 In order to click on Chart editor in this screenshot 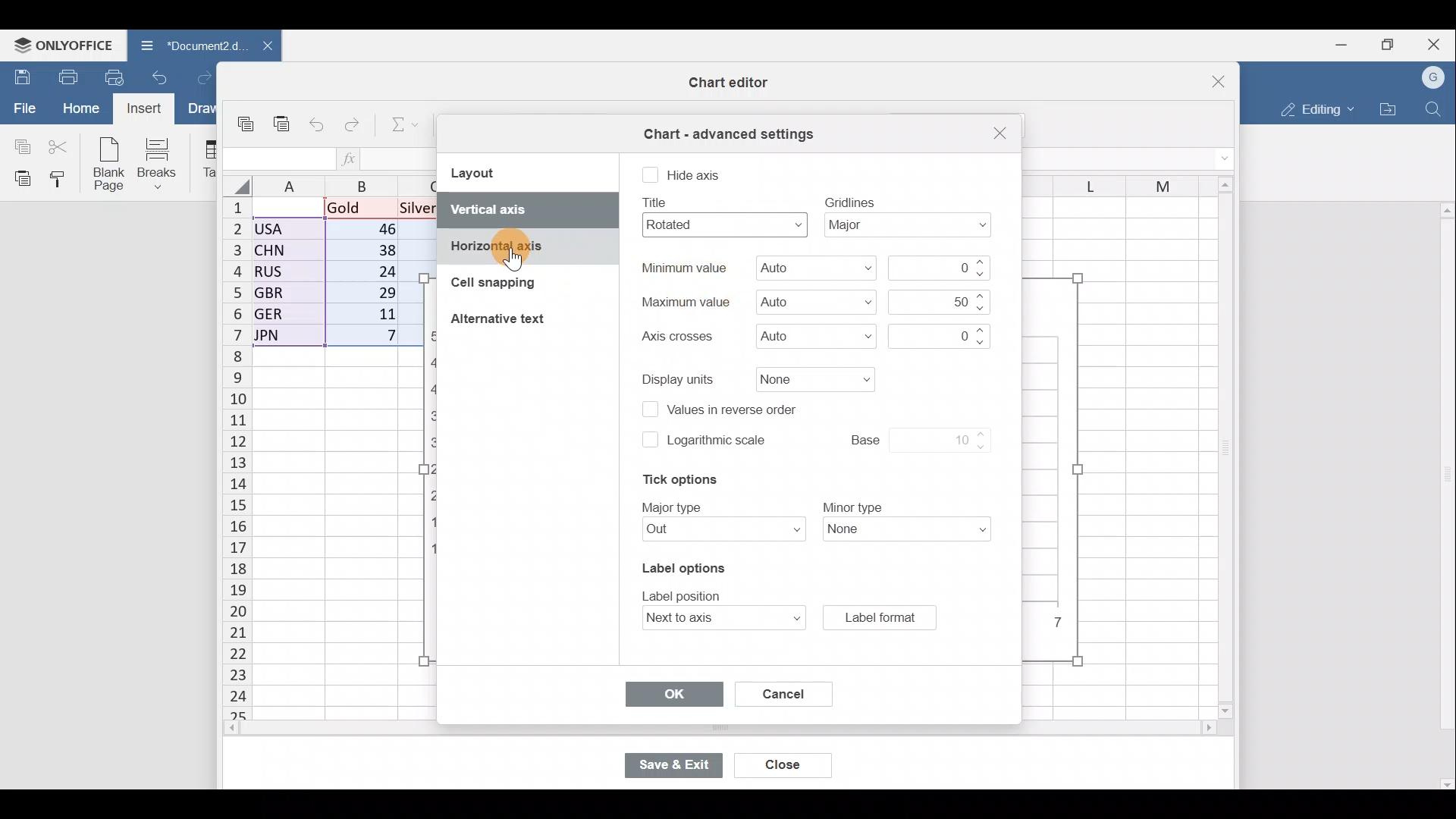, I will do `click(724, 83)`.